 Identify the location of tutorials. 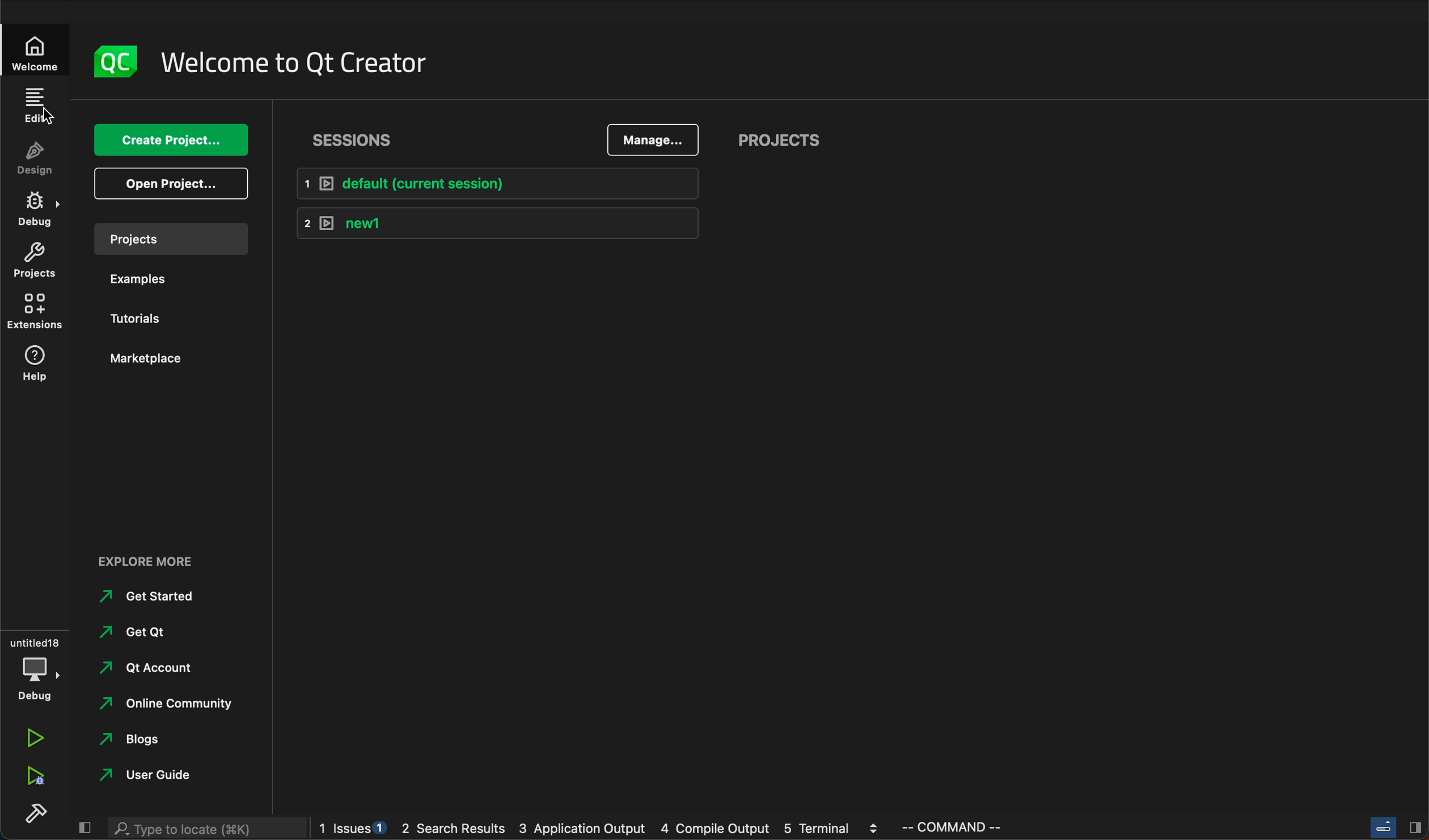
(144, 319).